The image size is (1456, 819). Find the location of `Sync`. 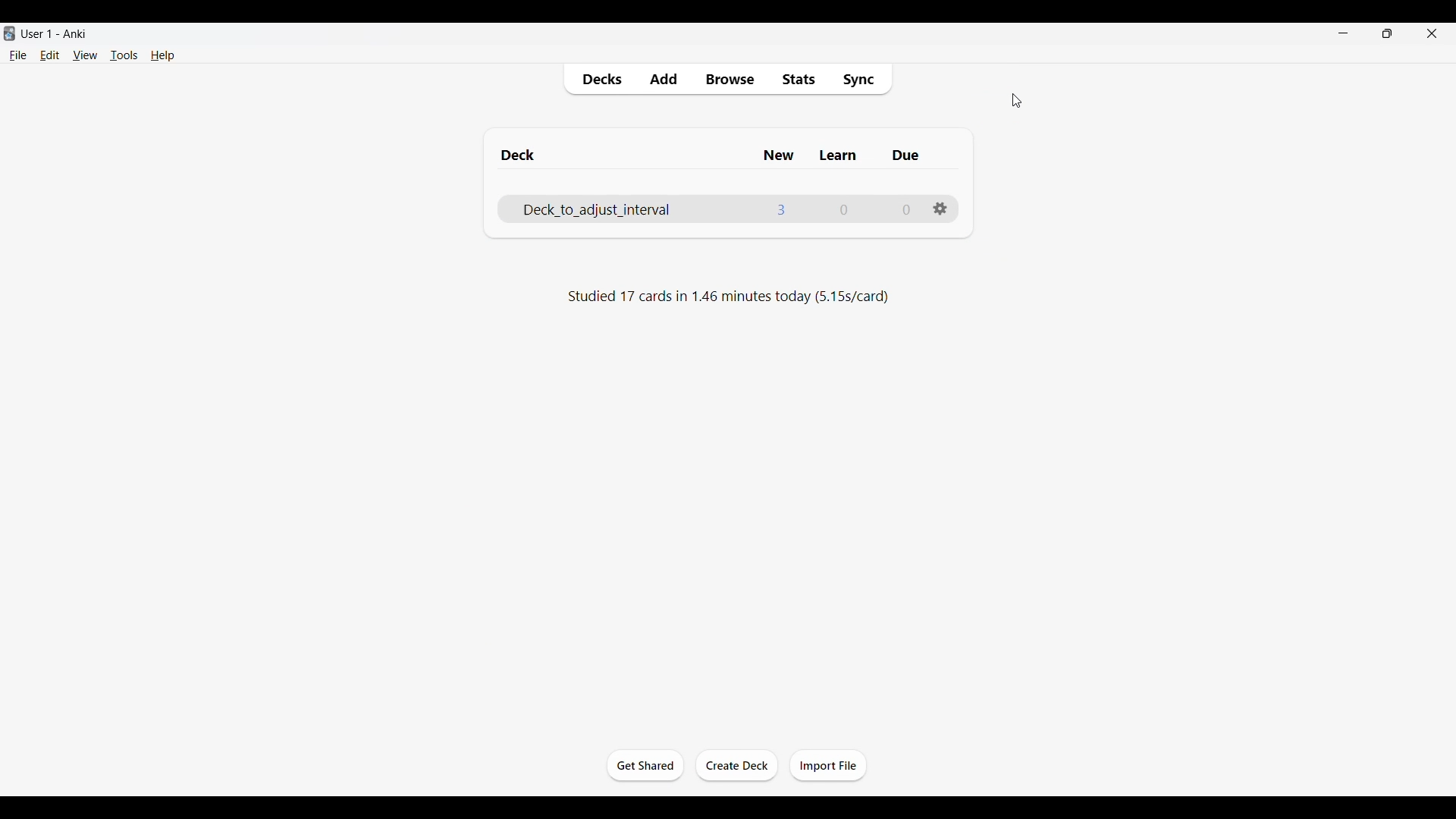

Sync is located at coordinates (862, 78).